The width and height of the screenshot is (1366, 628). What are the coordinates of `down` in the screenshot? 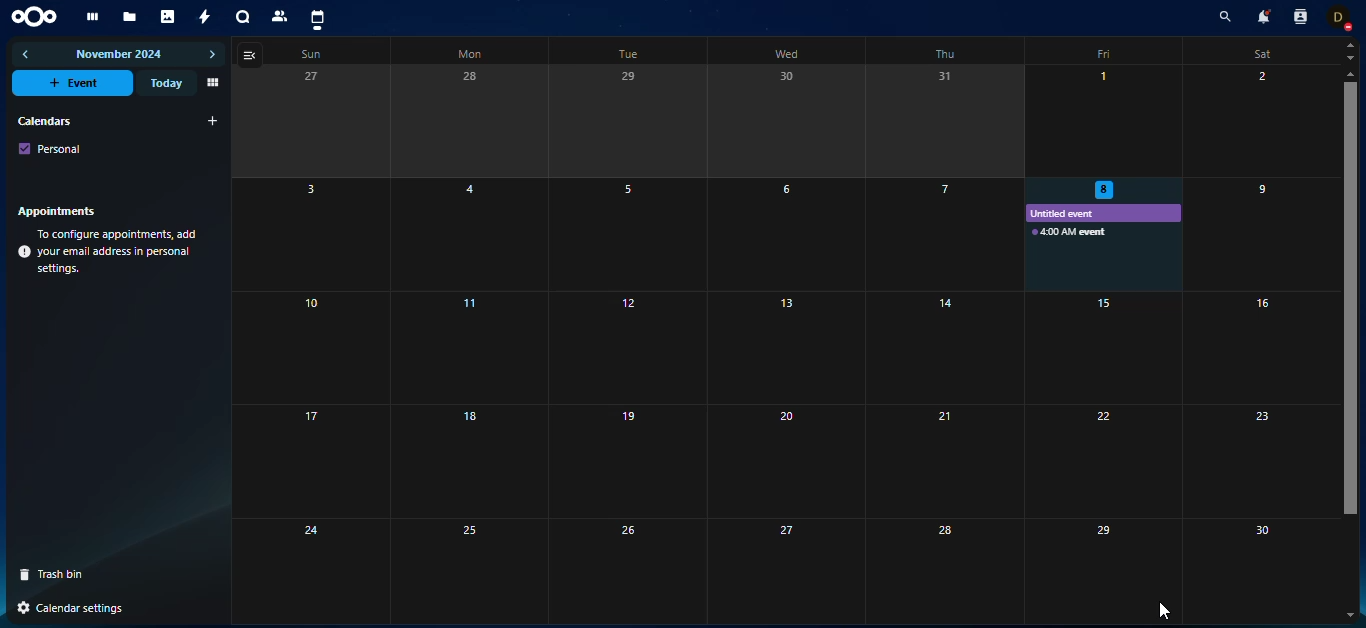 It's located at (1350, 612).